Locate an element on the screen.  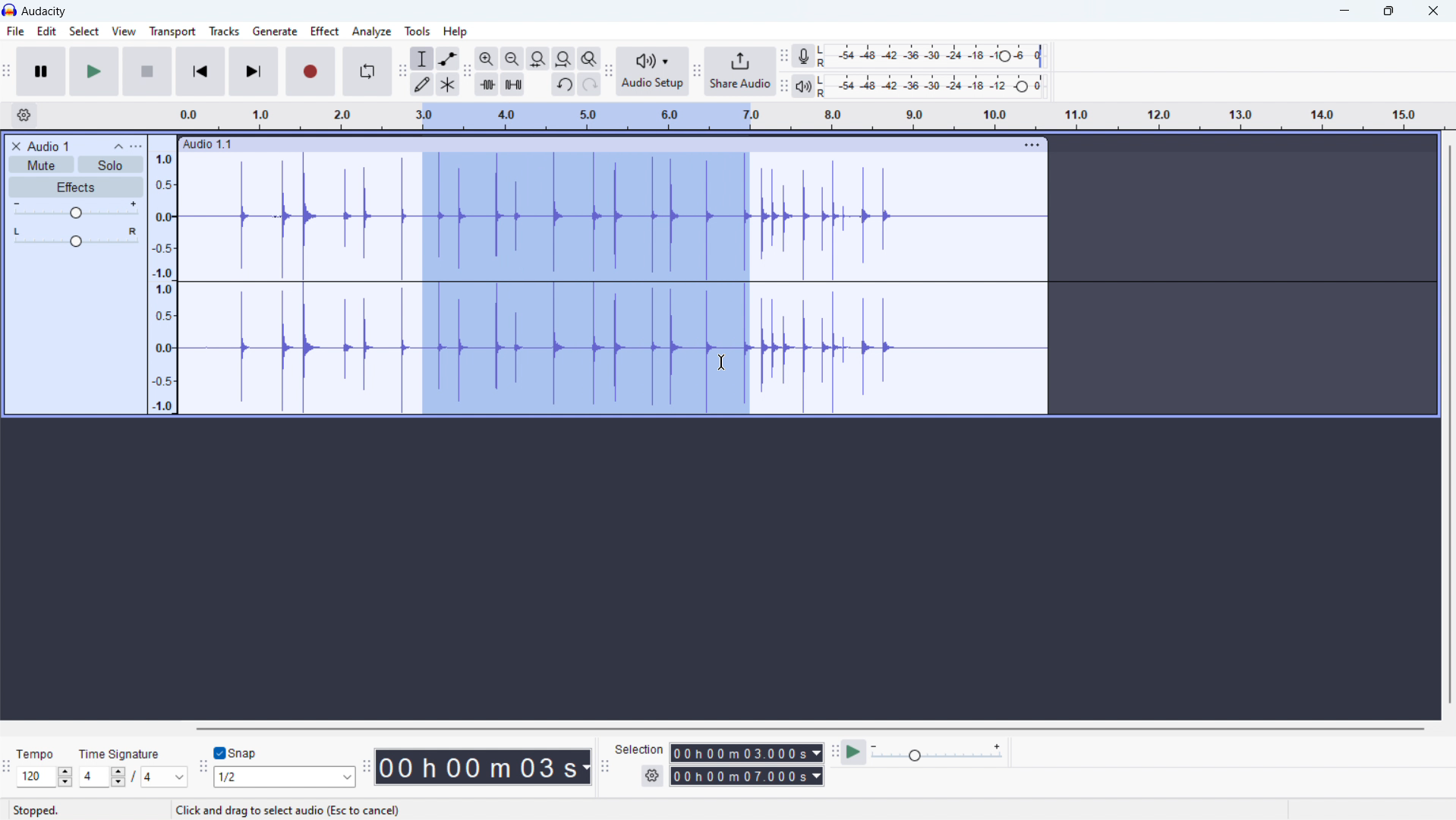
pause is located at coordinates (41, 72).